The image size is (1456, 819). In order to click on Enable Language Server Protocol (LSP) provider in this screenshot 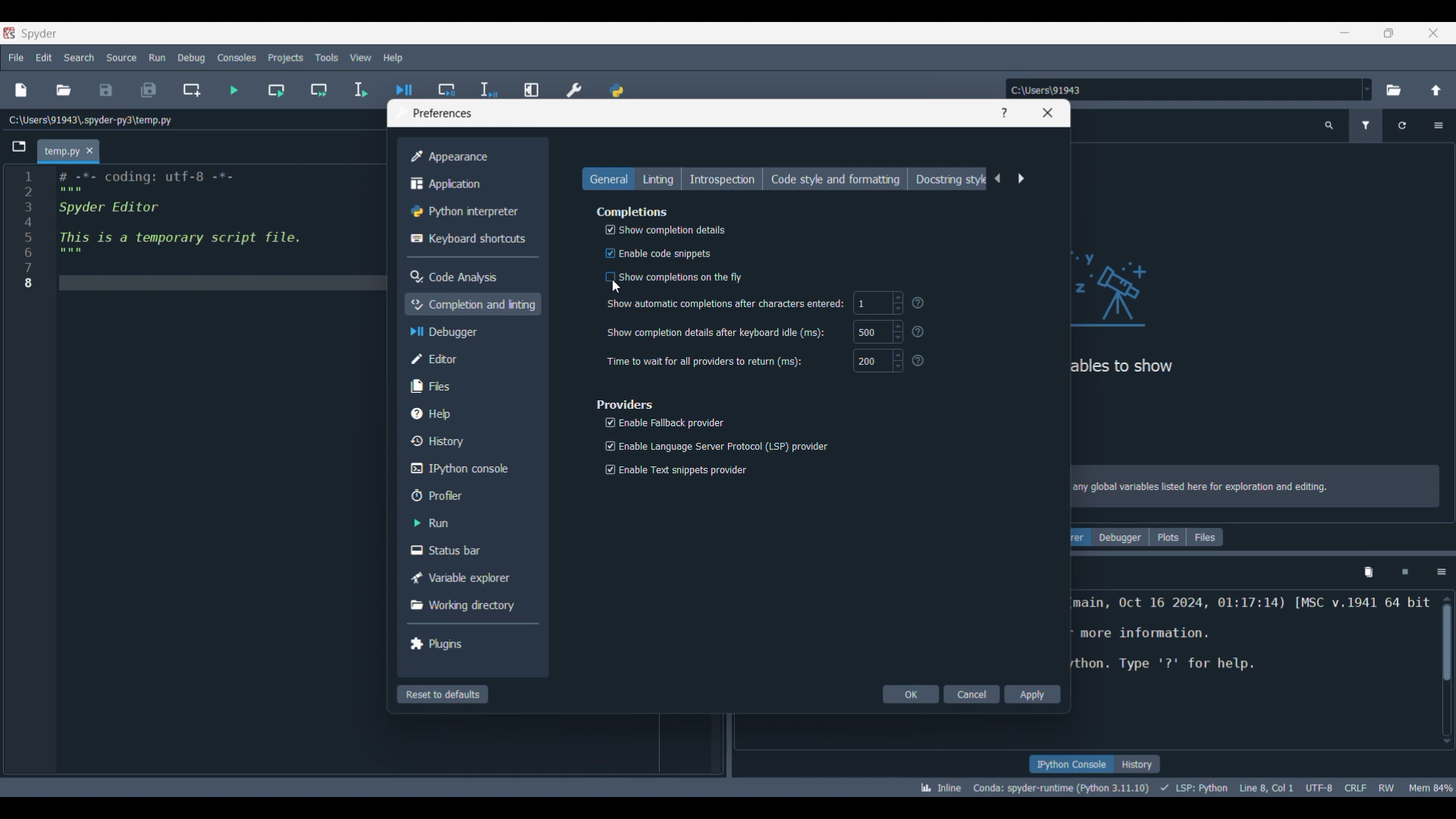, I will do `click(714, 444)`.